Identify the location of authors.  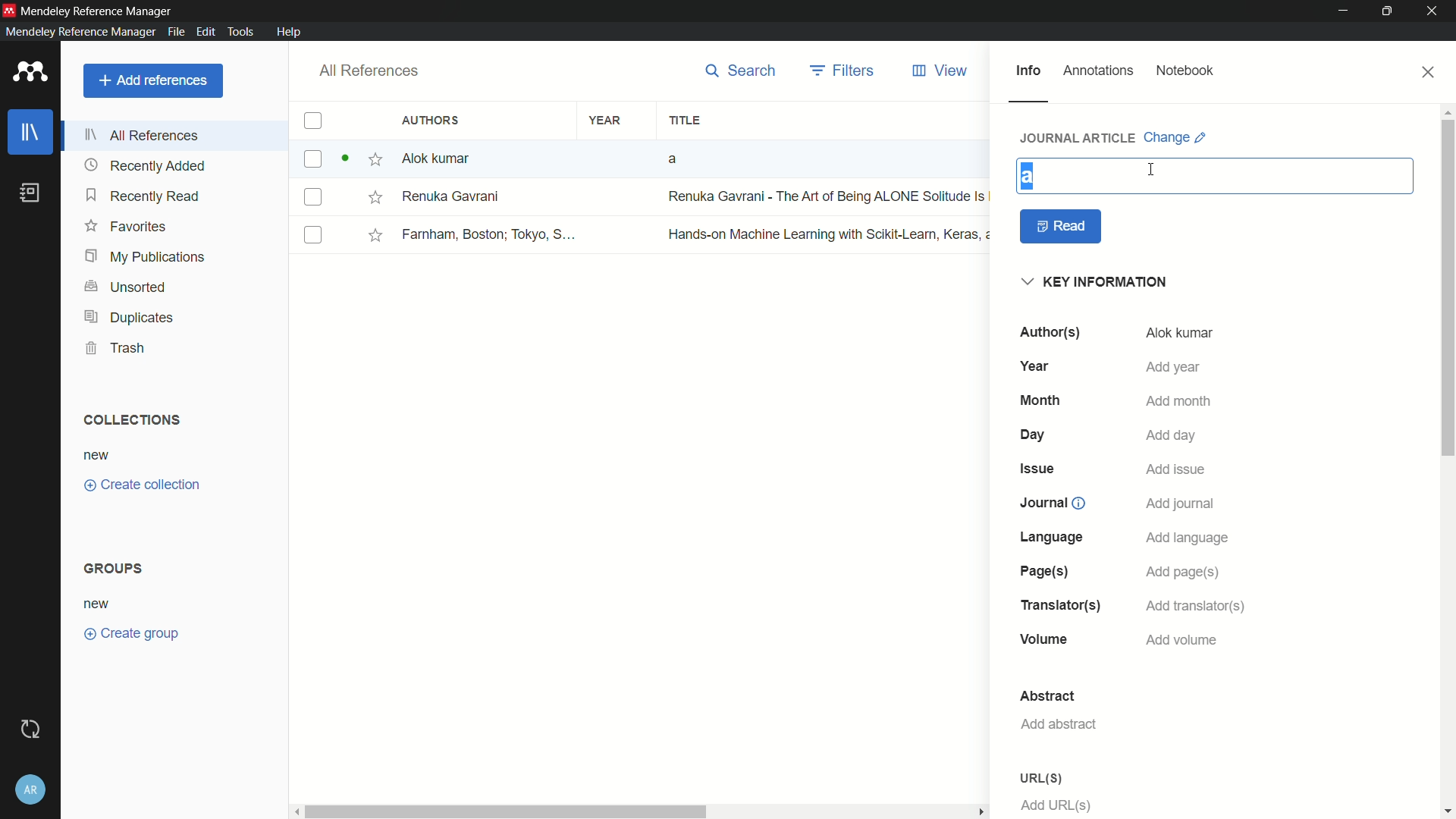
(433, 120).